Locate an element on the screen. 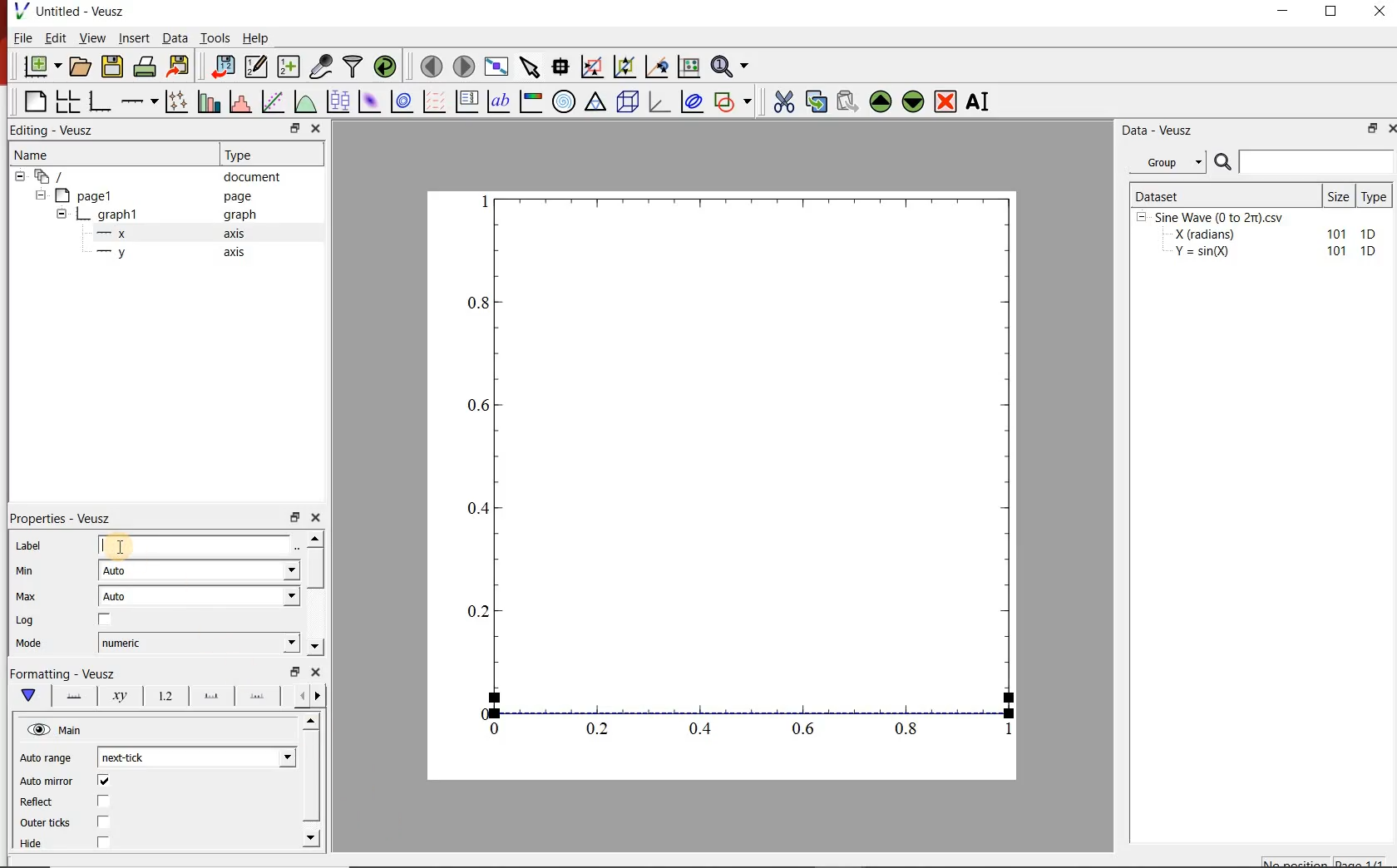  Data is located at coordinates (174, 37).